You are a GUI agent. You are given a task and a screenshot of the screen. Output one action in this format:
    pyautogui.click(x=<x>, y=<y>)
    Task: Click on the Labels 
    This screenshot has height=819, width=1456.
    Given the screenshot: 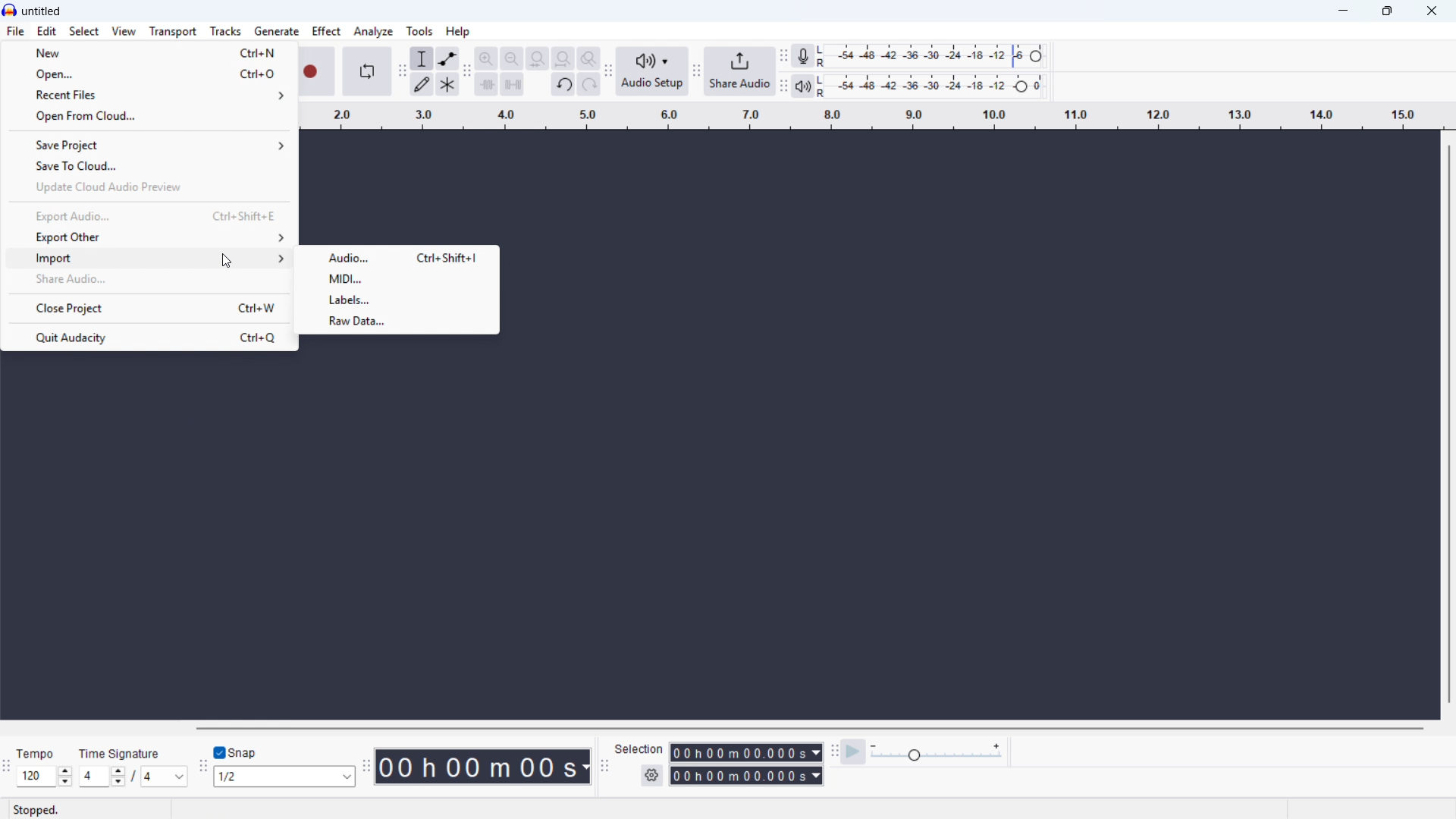 What is the action you would take?
    pyautogui.click(x=397, y=298)
    